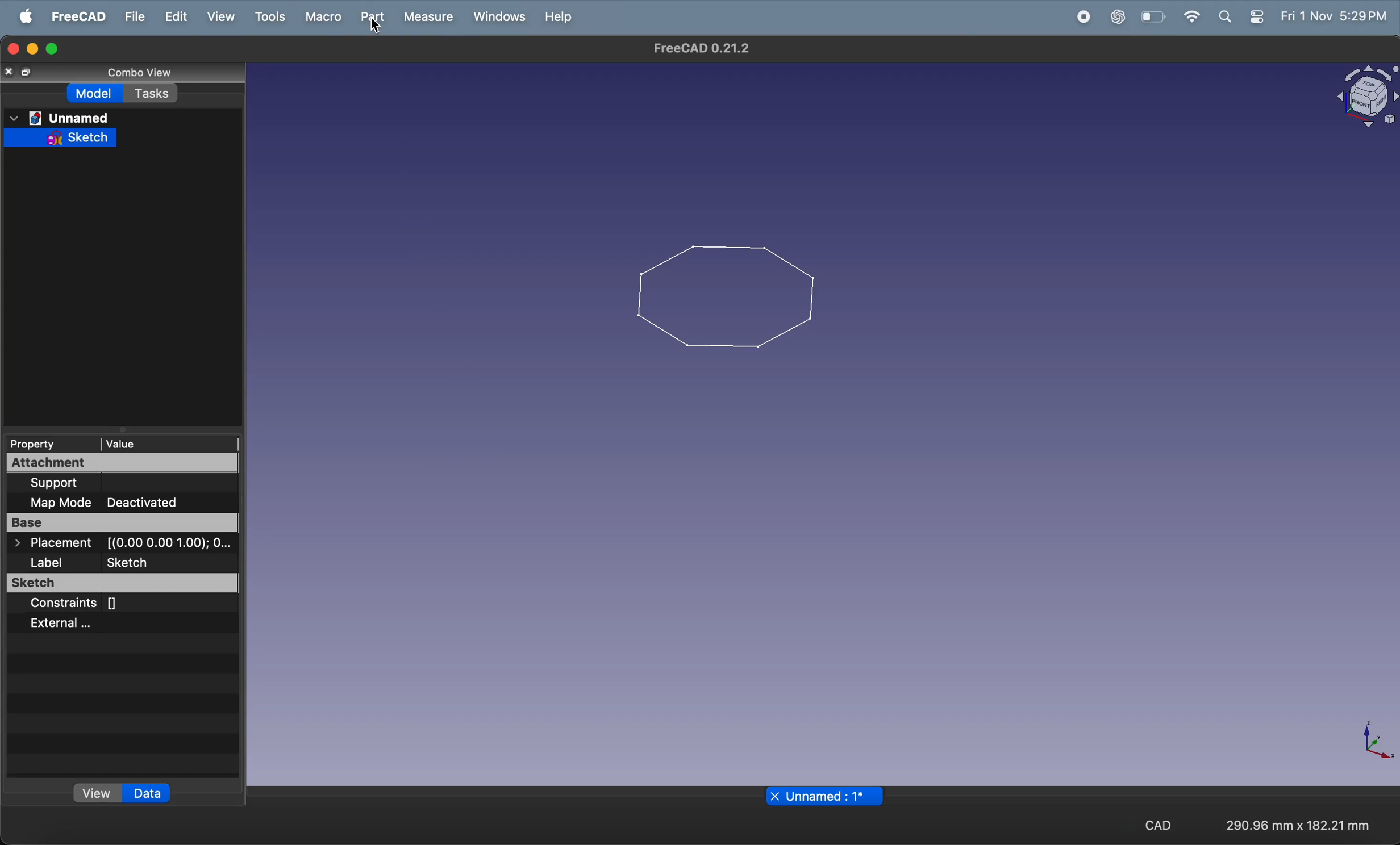 Image resolution: width=1400 pixels, height=845 pixels. Describe the element at coordinates (74, 16) in the screenshot. I see `free CAD` at that location.